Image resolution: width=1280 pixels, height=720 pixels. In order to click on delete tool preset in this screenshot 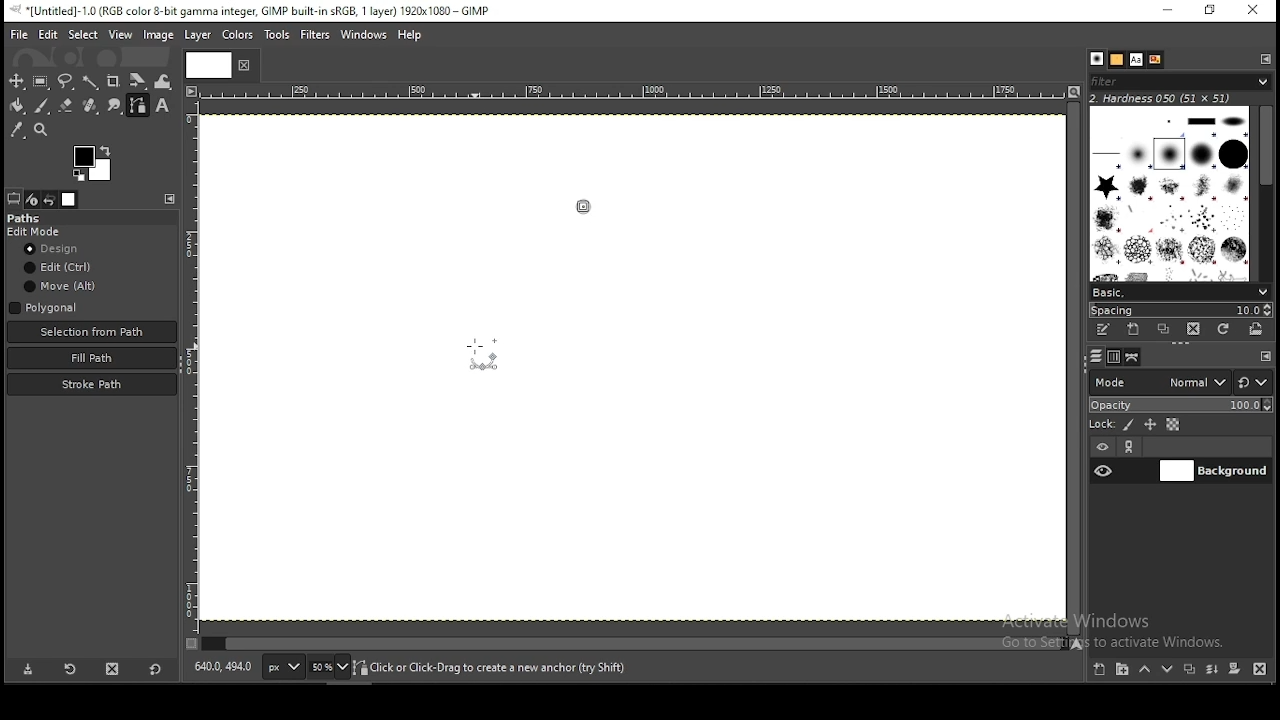, I will do `click(113, 672)`.